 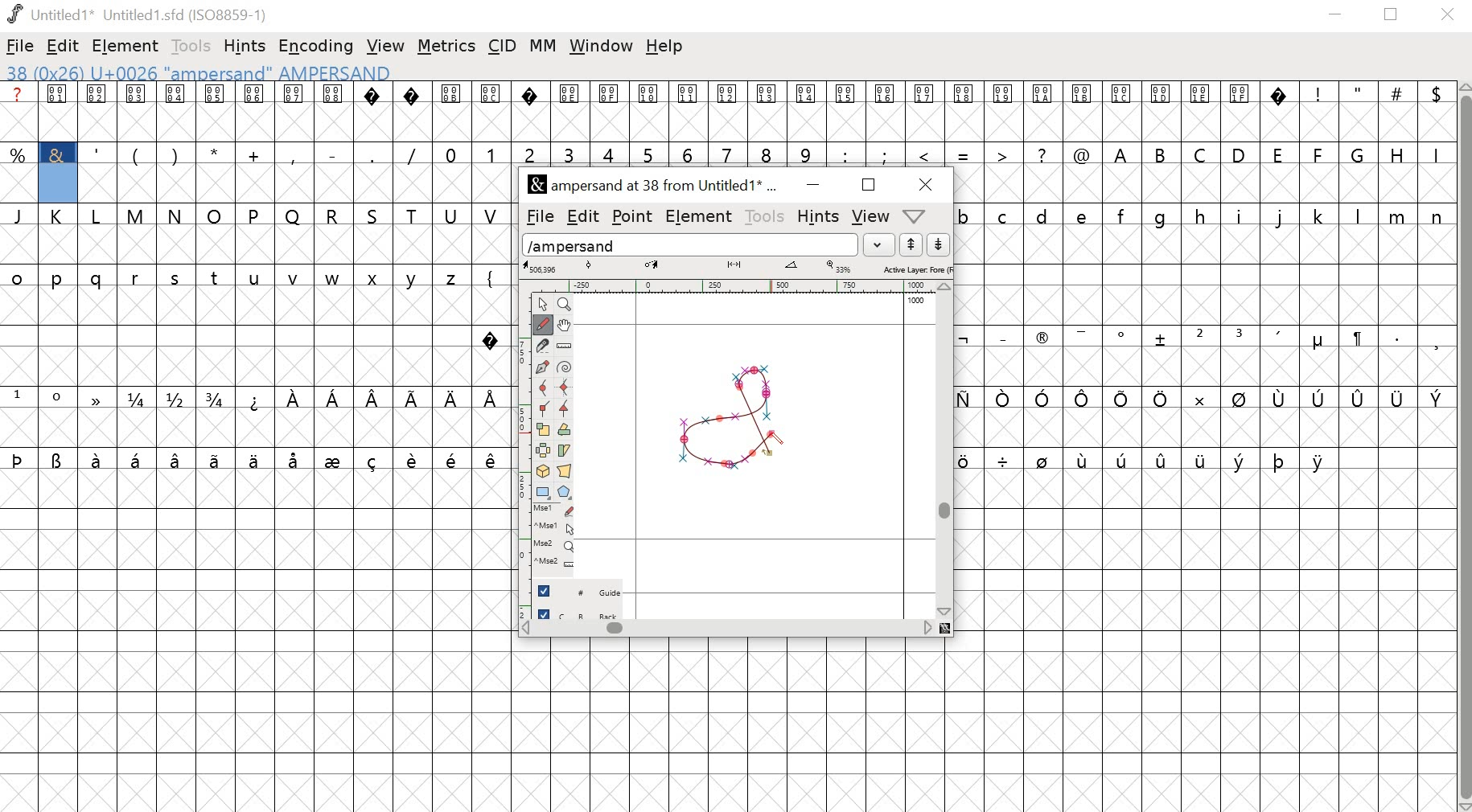 What do you see at coordinates (1042, 113) in the screenshot?
I see `001A` at bounding box center [1042, 113].